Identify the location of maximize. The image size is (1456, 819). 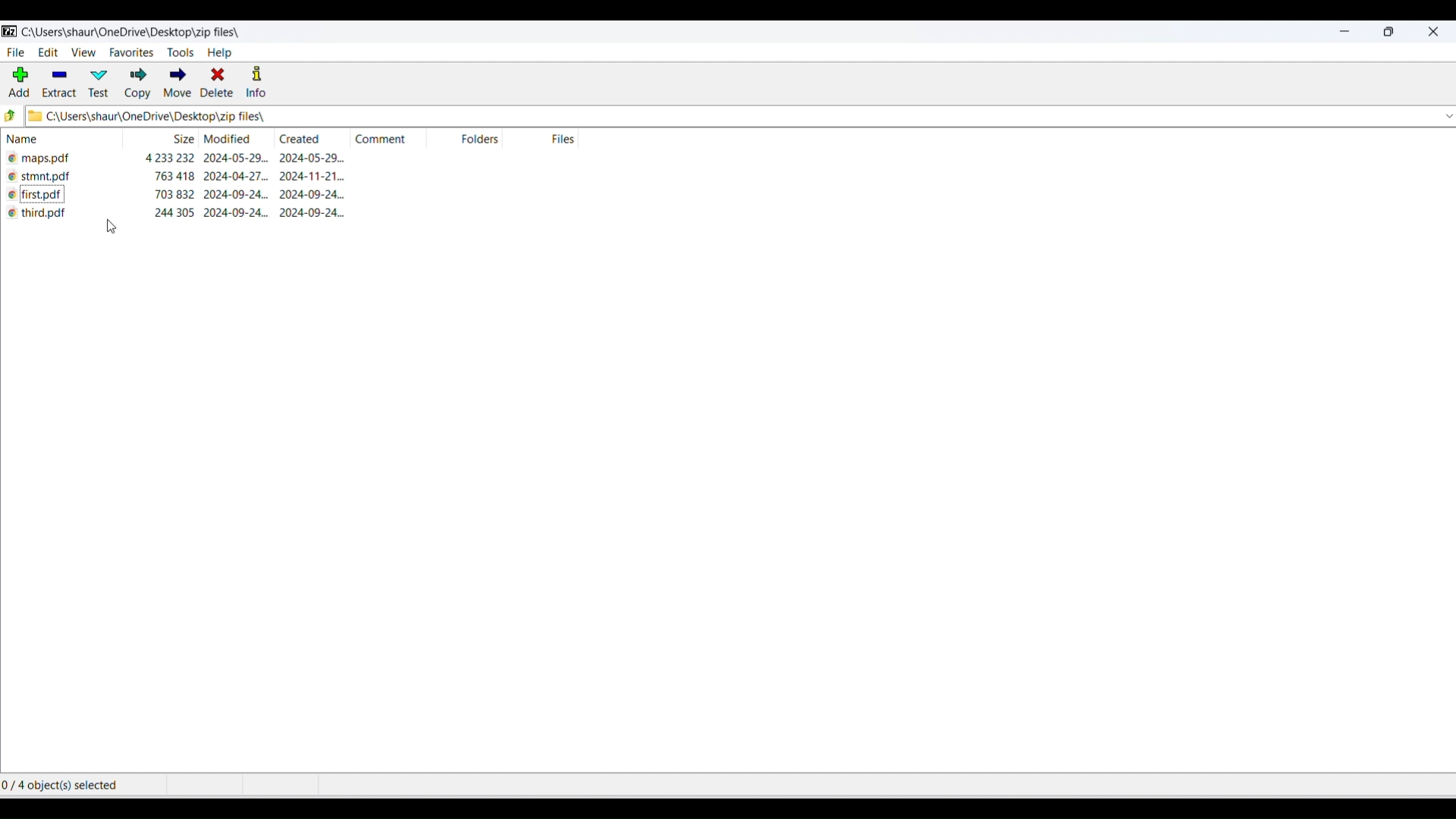
(1389, 35).